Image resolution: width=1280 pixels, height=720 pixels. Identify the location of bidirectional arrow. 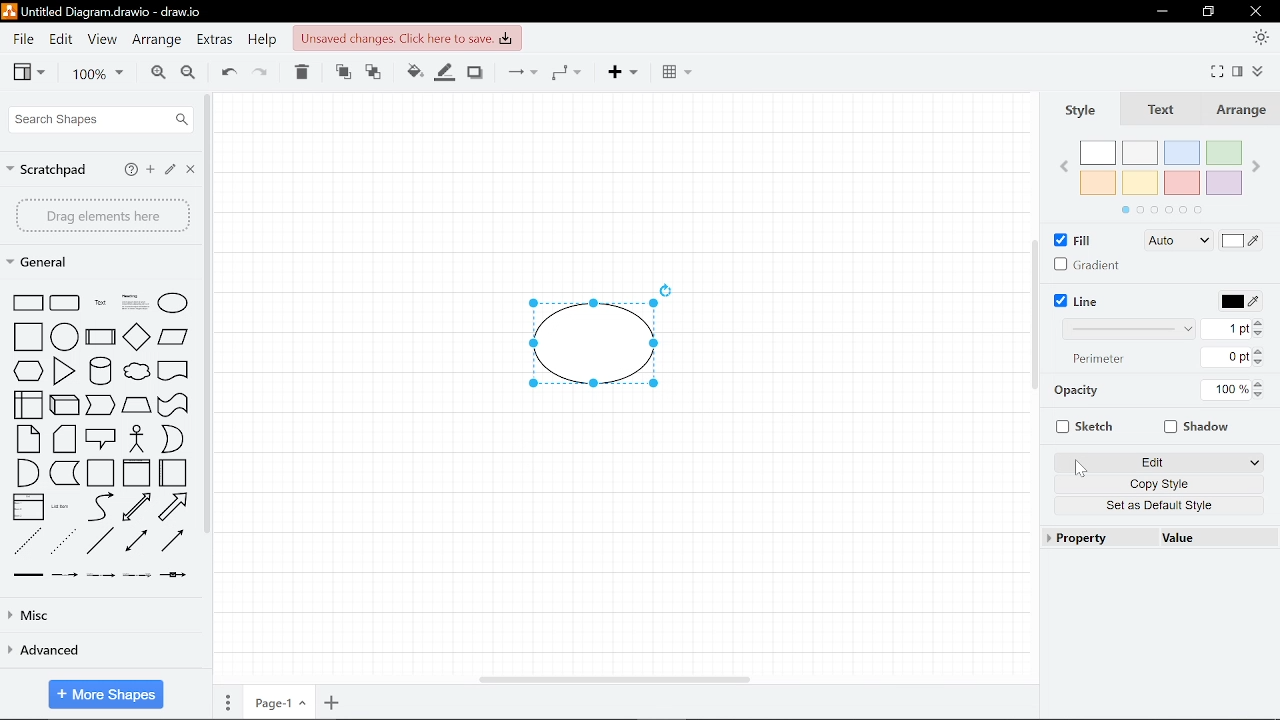
(135, 508).